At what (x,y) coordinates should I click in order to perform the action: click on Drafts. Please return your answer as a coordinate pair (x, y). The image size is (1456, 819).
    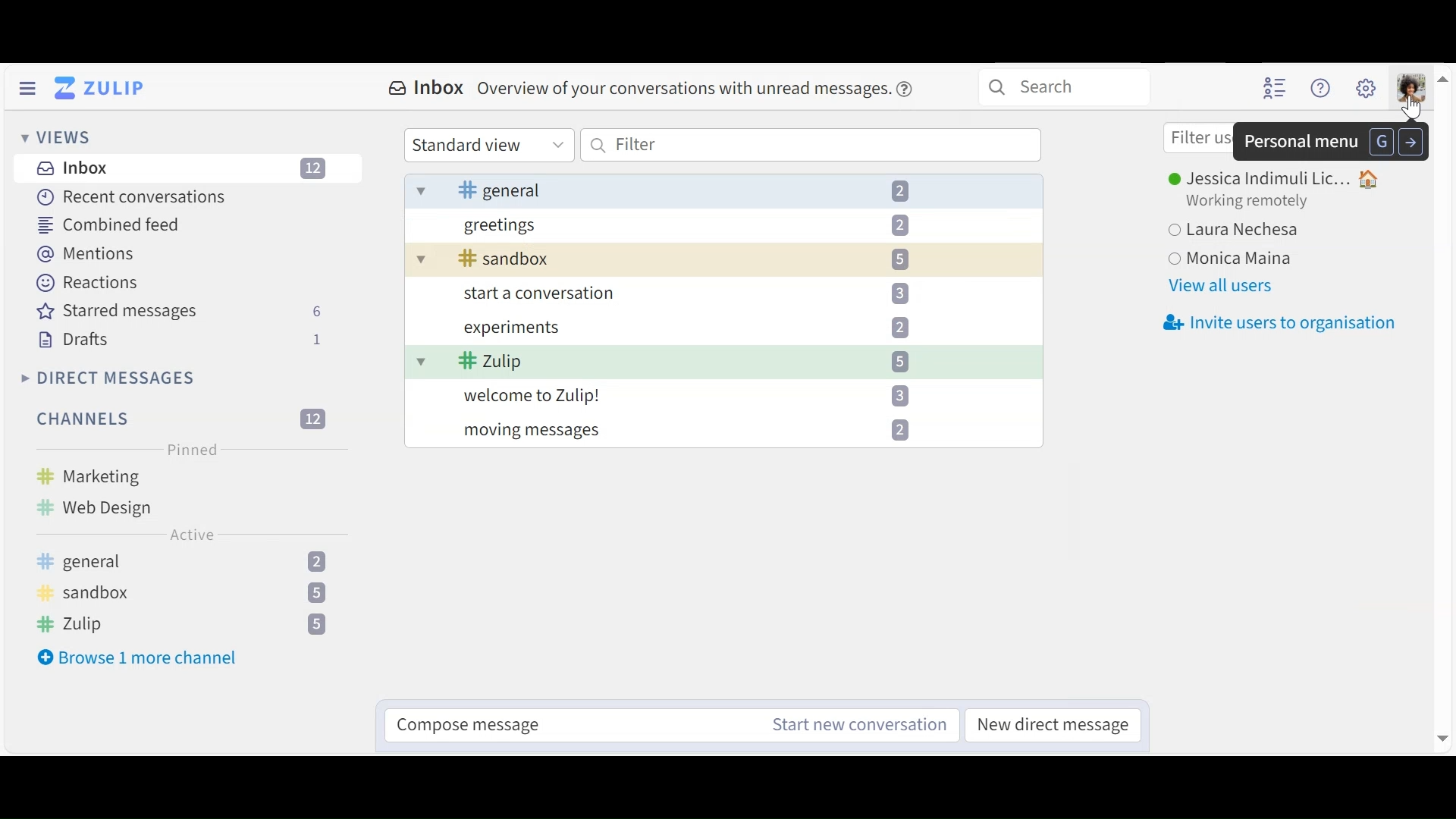
    Looking at the image, I should click on (177, 339).